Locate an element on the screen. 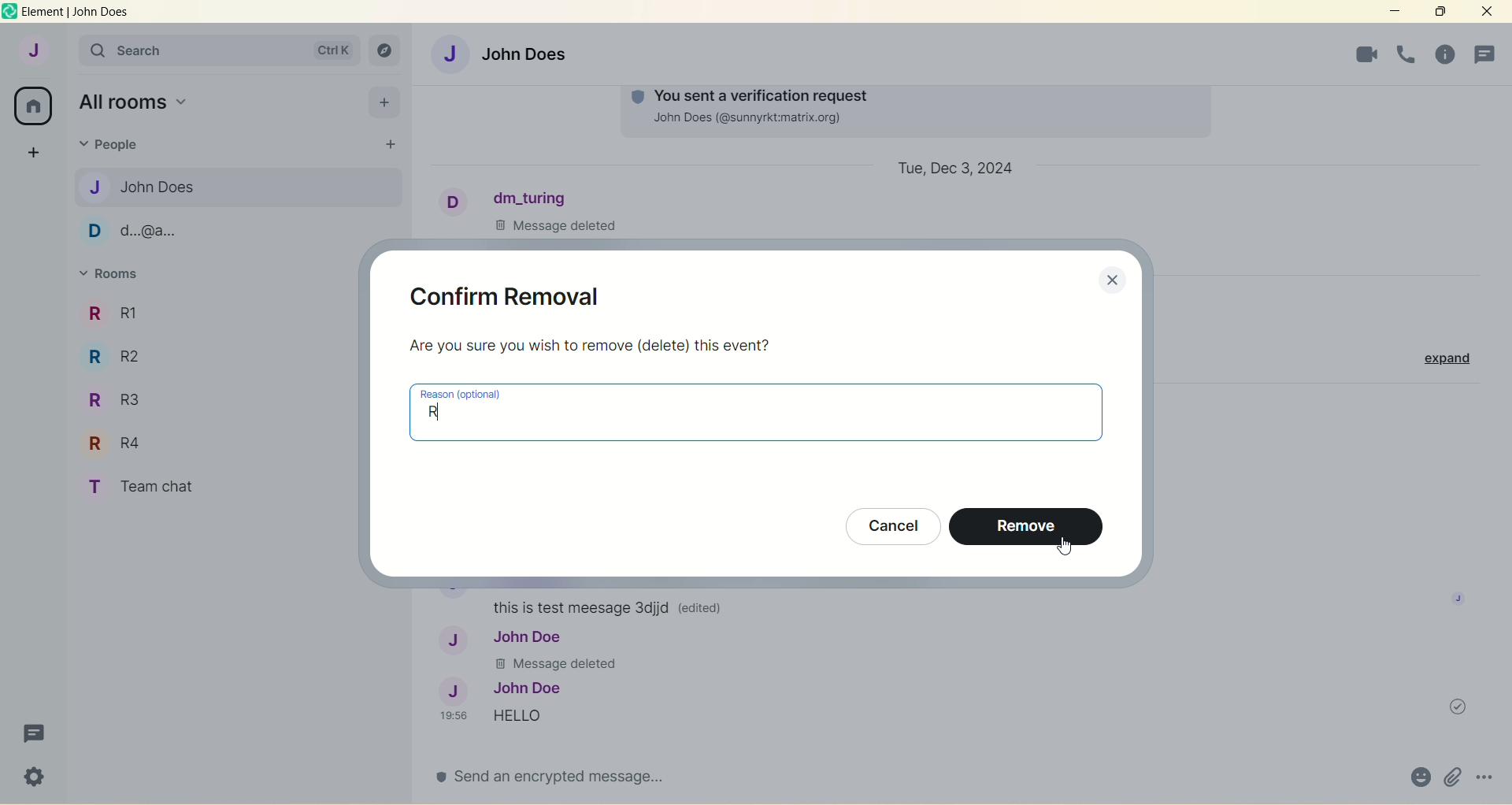 The width and height of the screenshot is (1512, 805). ctrl K is located at coordinates (332, 50).